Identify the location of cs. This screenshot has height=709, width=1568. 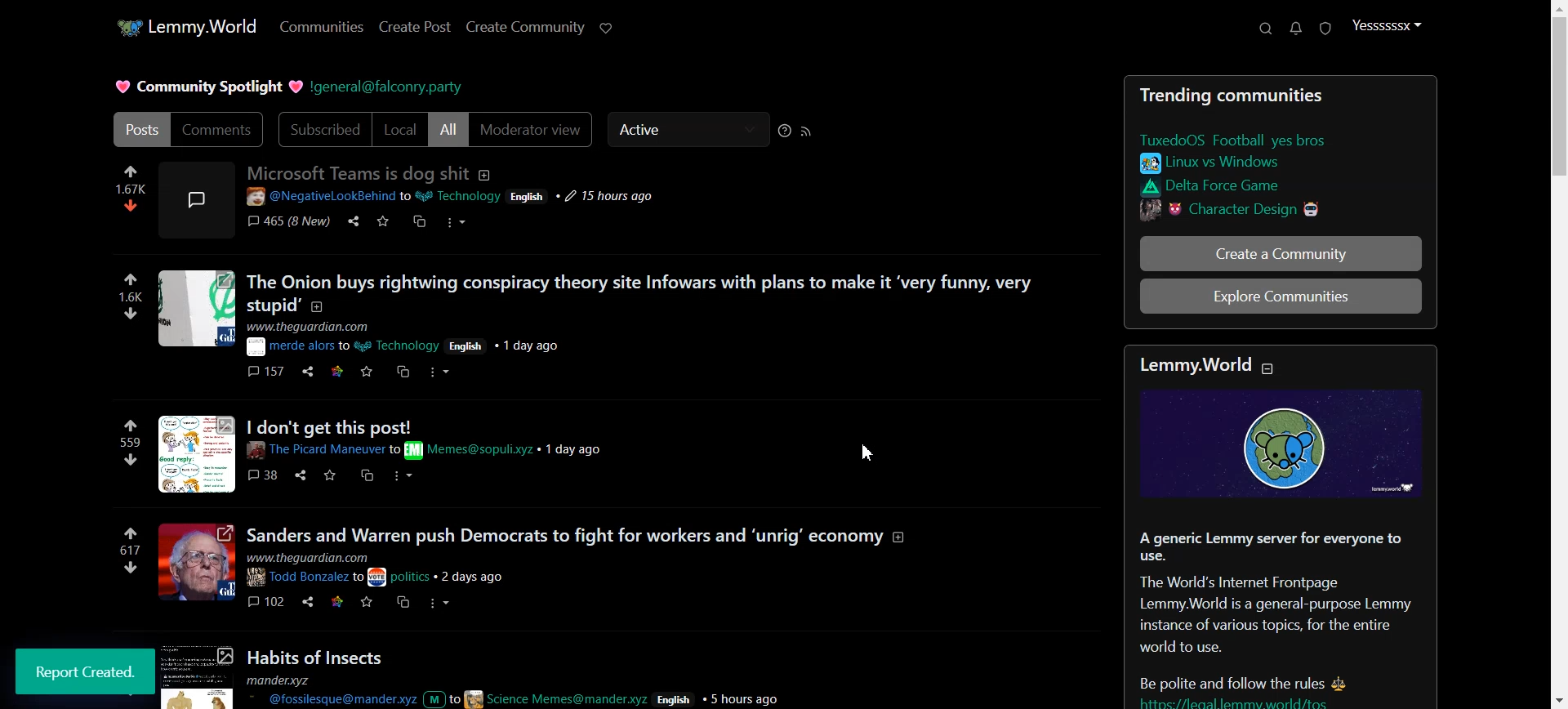
(402, 602).